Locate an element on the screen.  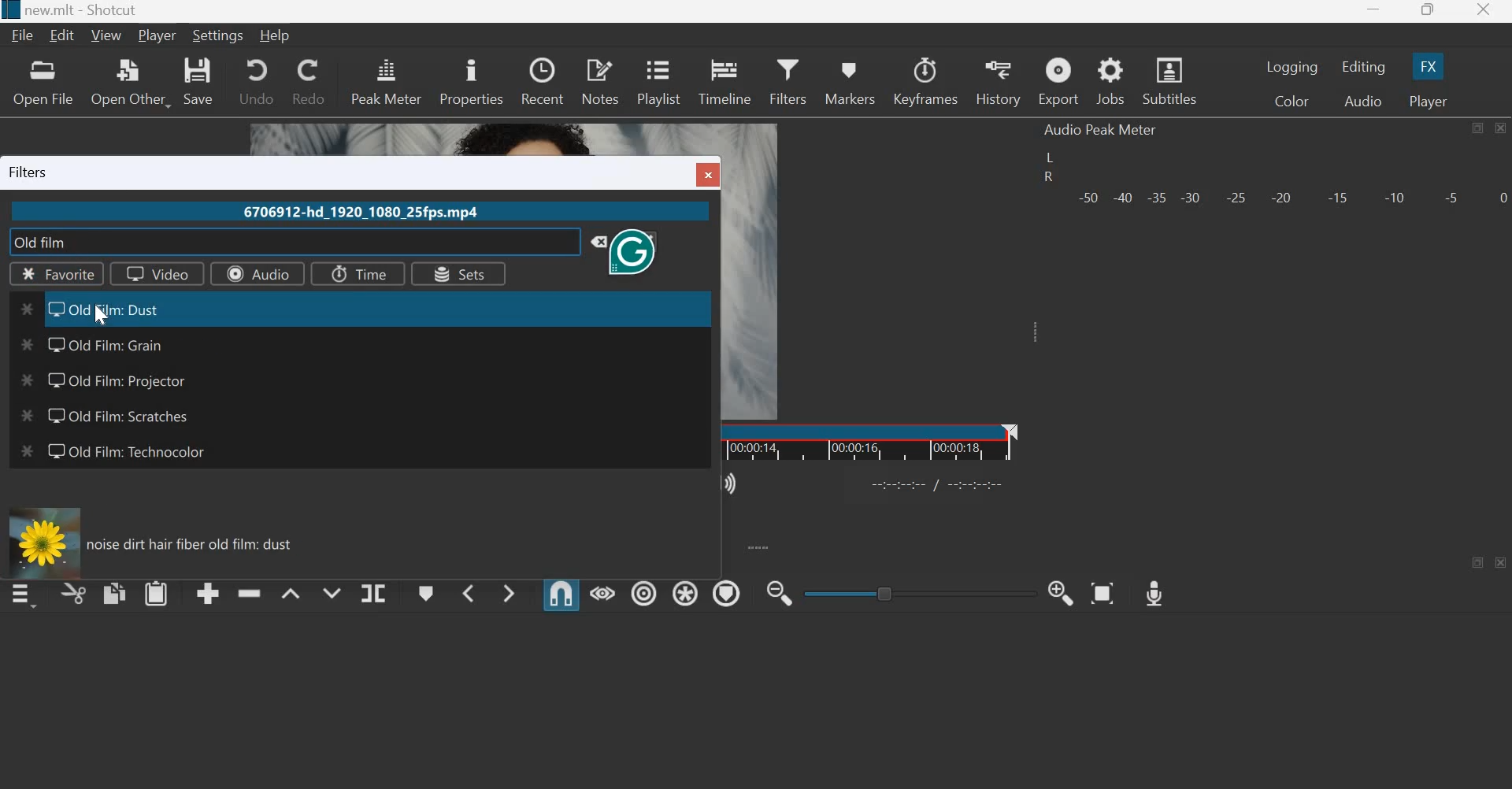
R is located at coordinates (1047, 179).